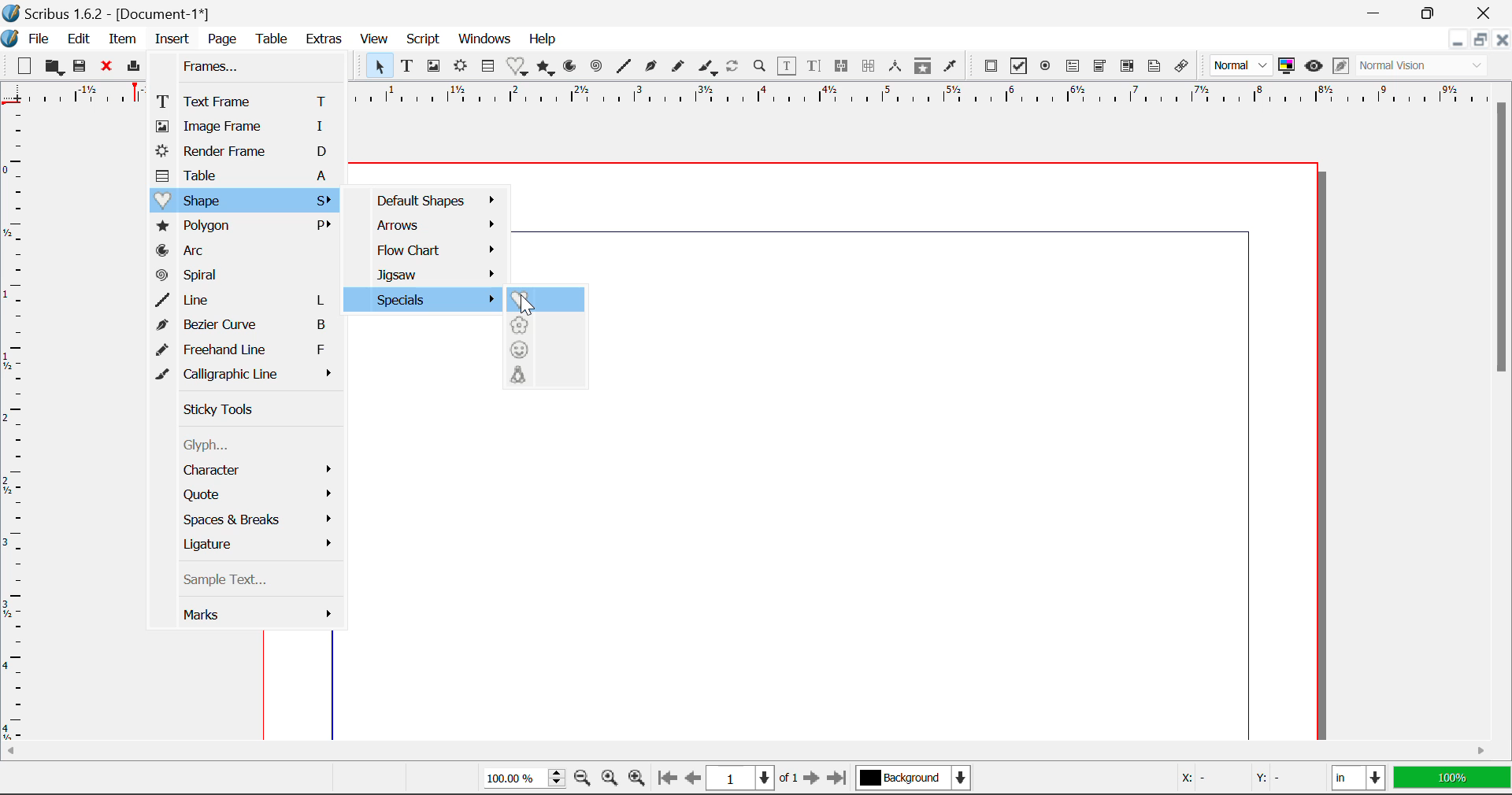 This screenshot has height=795, width=1512. I want to click on New, so click(24, 68).